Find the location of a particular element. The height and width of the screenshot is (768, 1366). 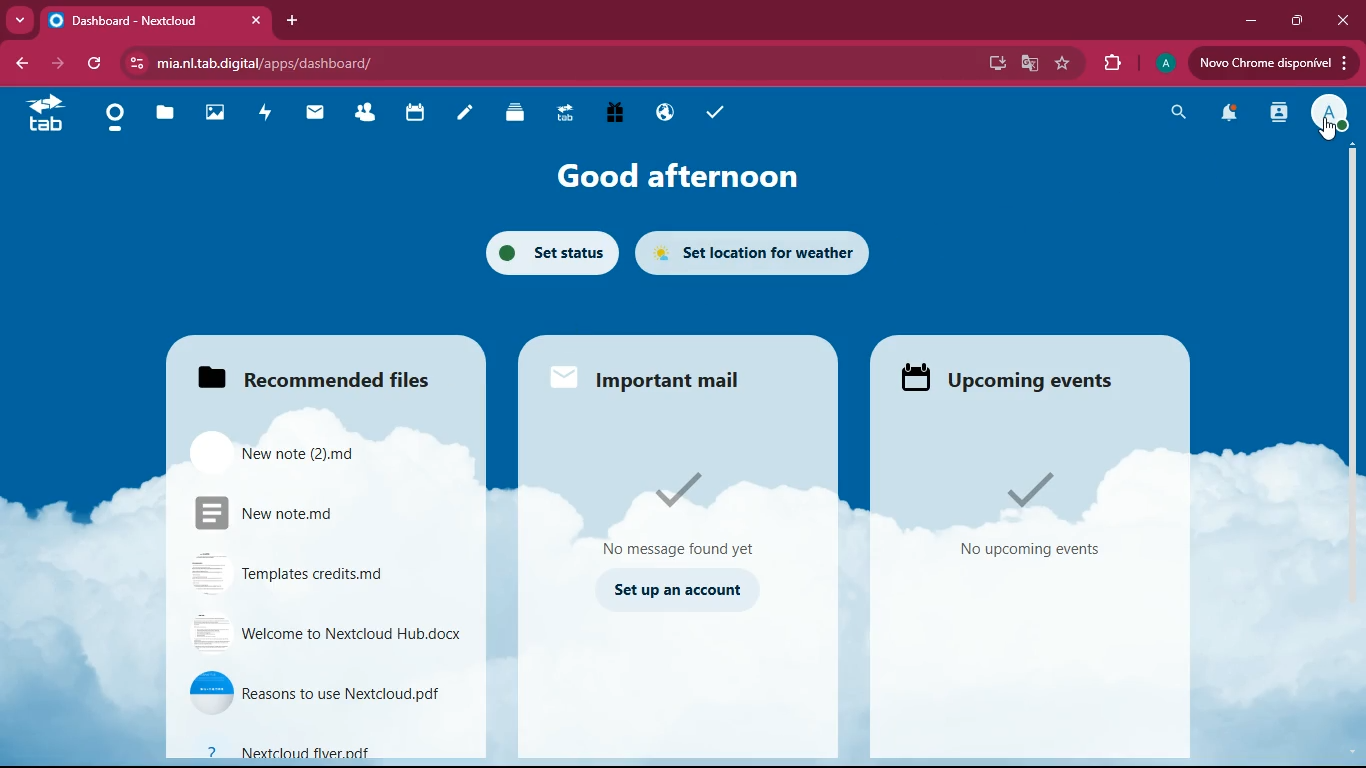

events is located at coordinates (1037, 515).